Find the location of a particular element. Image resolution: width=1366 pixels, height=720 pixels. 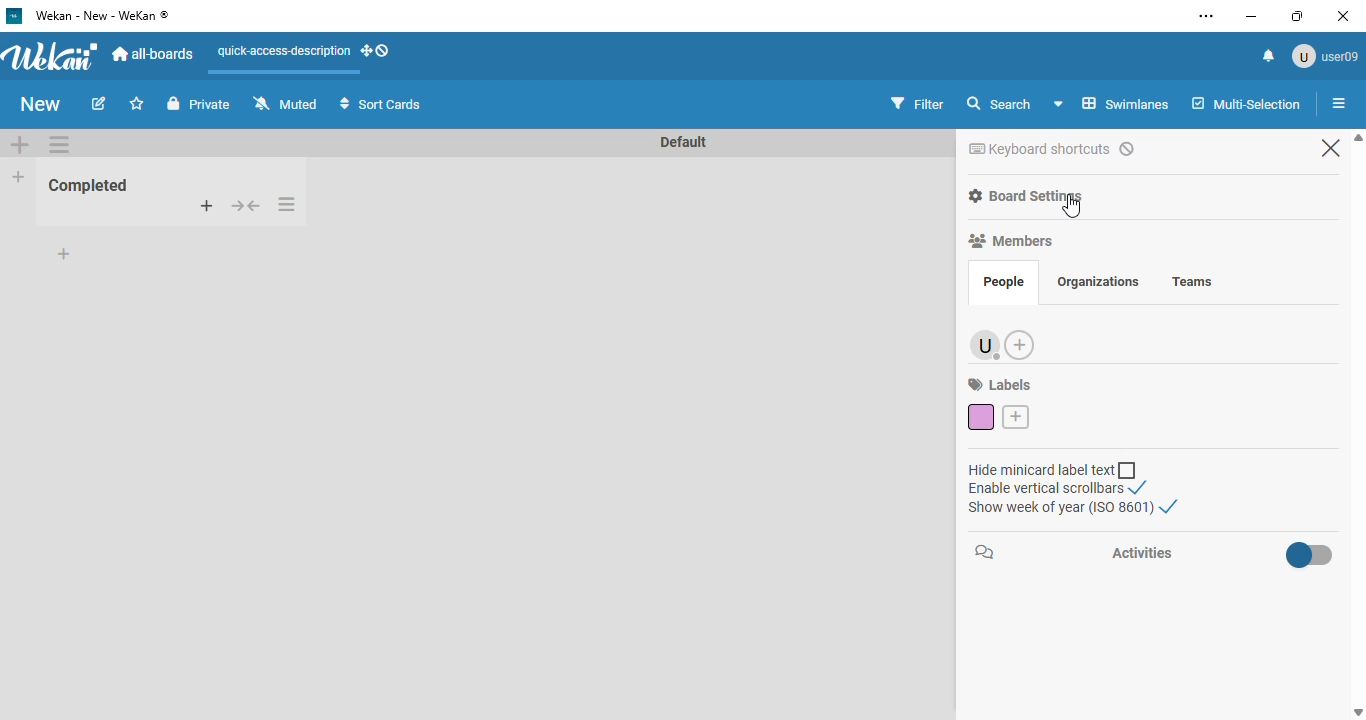

show week of year (ISO 8601) is located at coordinates (1074, 508).